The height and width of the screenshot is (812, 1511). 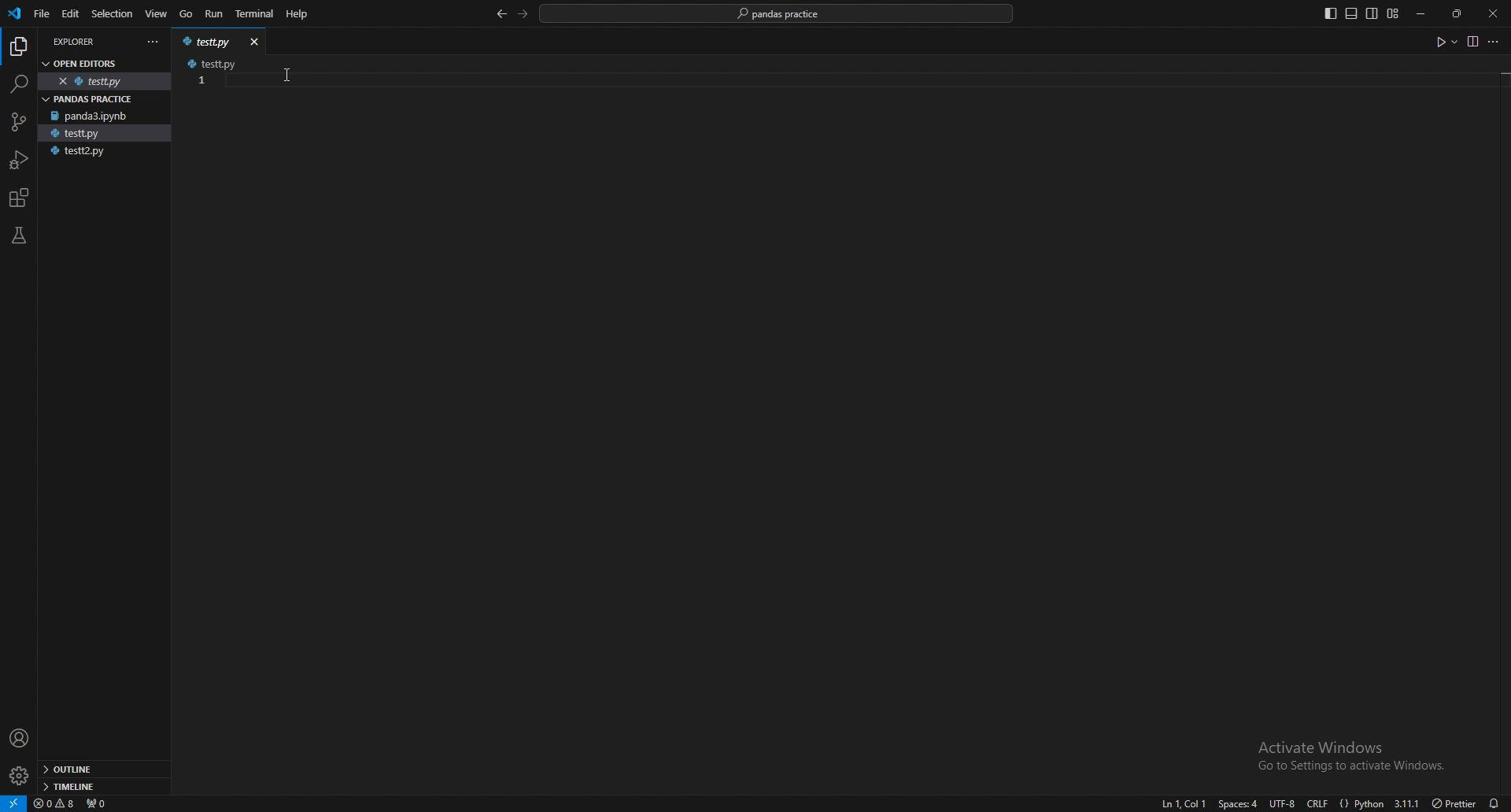 I want to click on terminal, so click(x=256, y=13).